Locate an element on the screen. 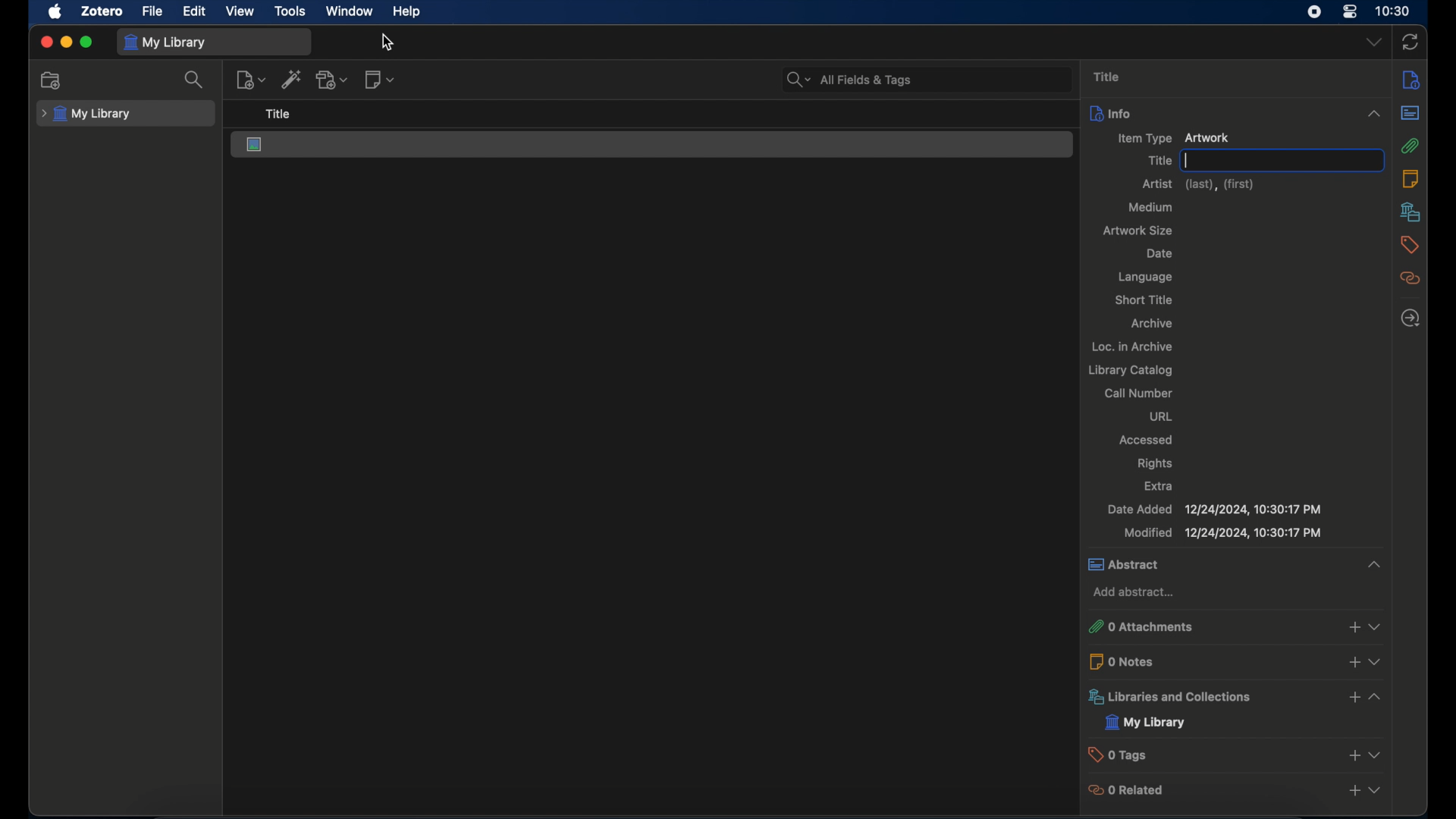 The image size is (1456, 819). archive is located at coordinates (1152, 324).